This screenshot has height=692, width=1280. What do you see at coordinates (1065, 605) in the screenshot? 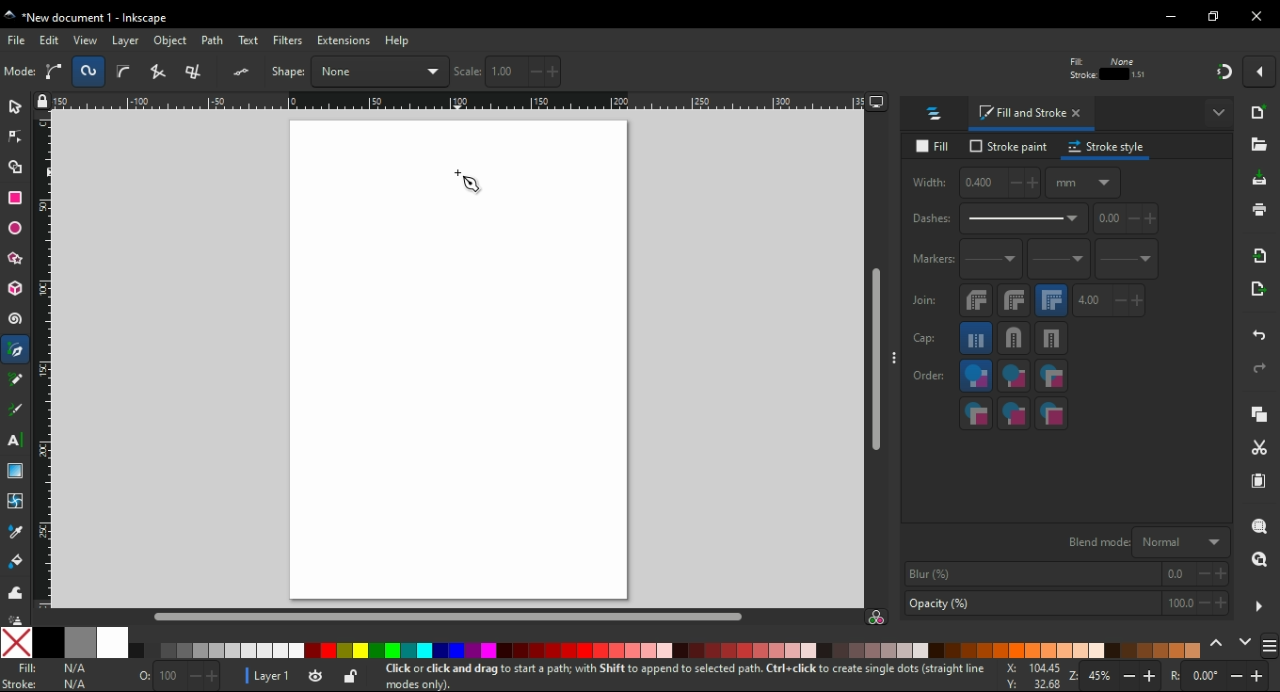
I see `opacity` at bounding box center [1065, 605].